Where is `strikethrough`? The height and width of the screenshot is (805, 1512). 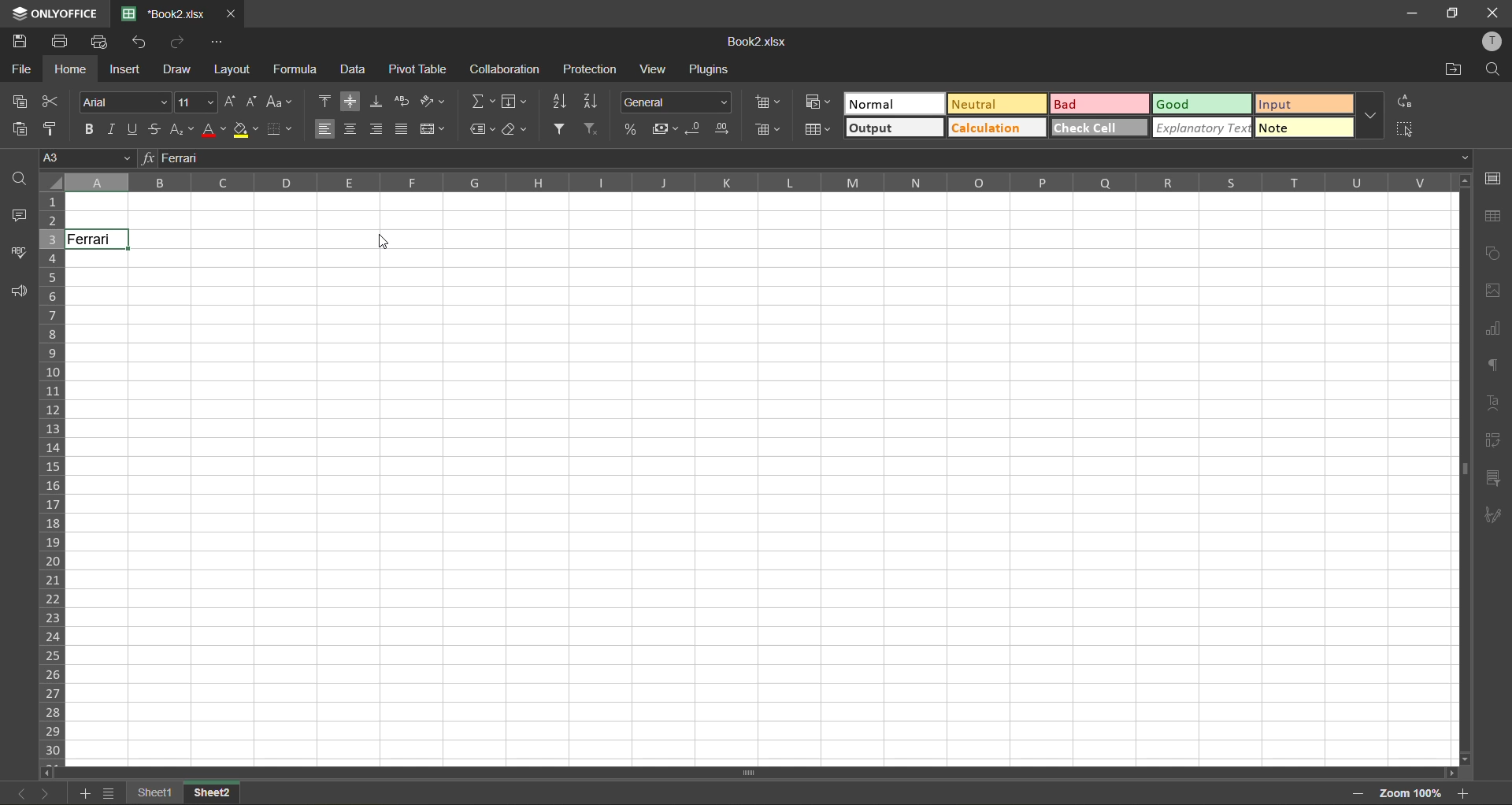 strikethrough is located at coordinates (157, 129).